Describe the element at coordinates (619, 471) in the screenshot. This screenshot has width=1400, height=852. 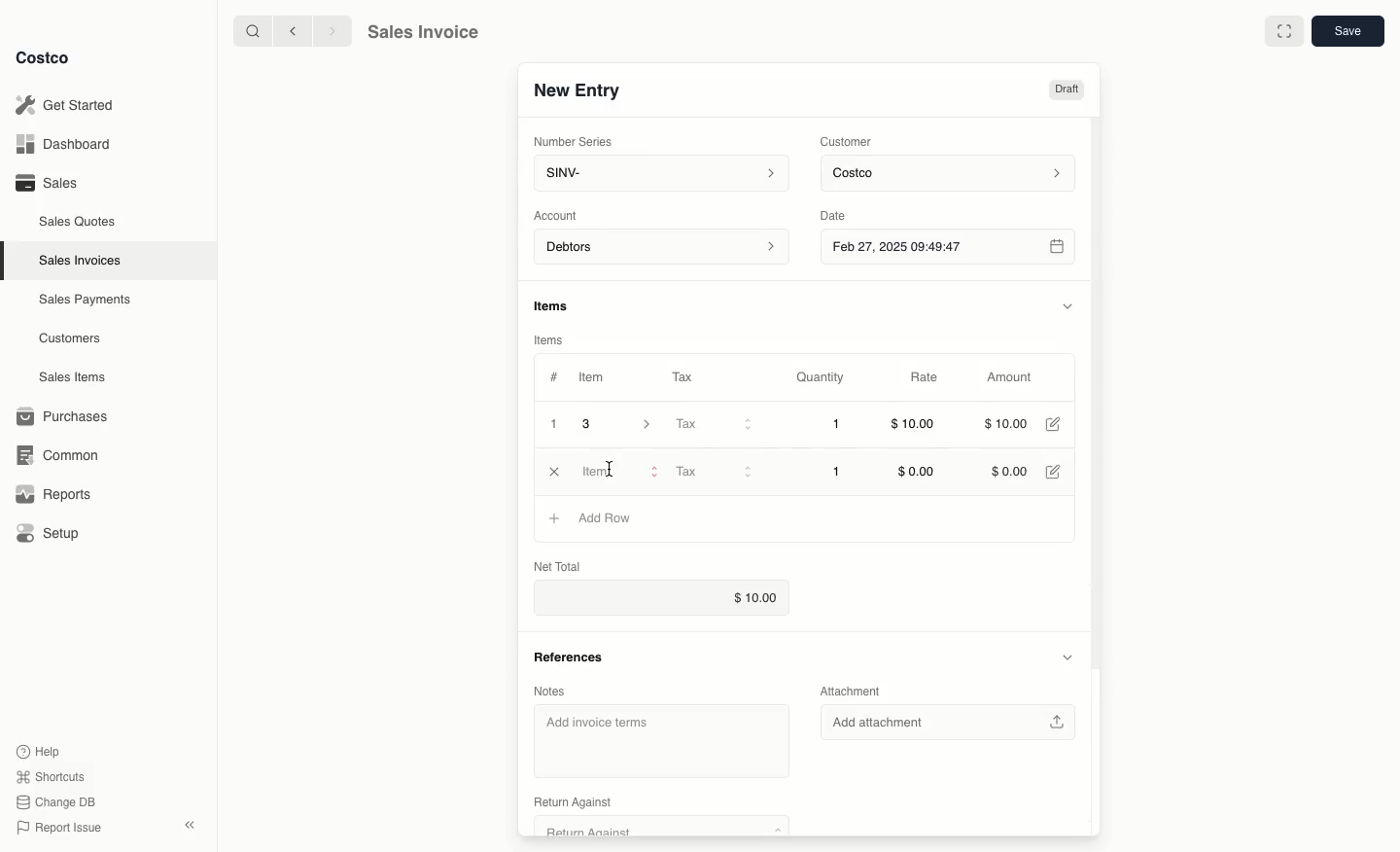
I see `Item` at that location.